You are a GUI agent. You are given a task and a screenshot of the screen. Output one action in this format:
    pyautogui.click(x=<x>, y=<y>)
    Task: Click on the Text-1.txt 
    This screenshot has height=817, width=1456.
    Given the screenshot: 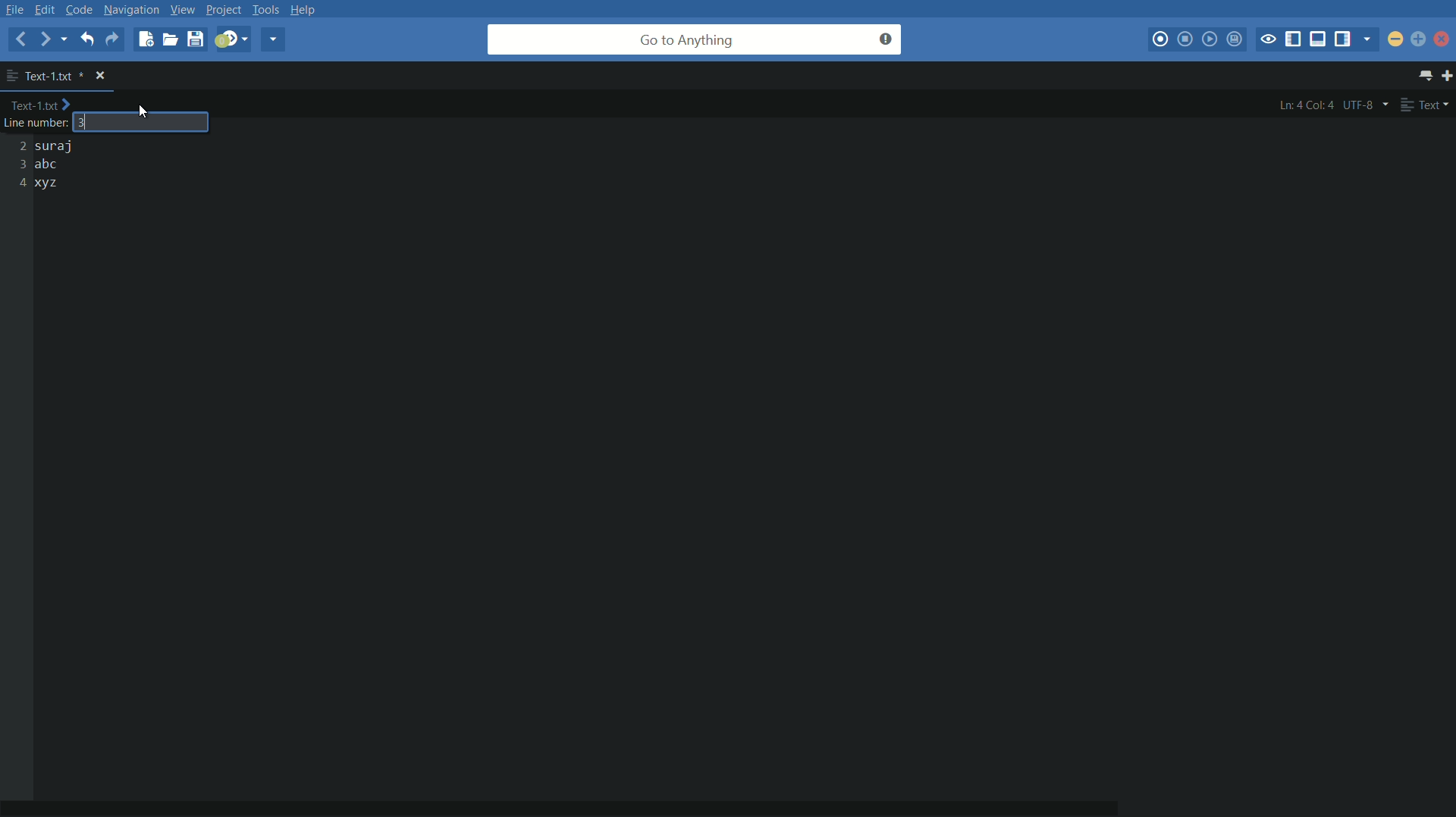 What is the action you would take?
    pyautogui.click(x=39, y=105)
    